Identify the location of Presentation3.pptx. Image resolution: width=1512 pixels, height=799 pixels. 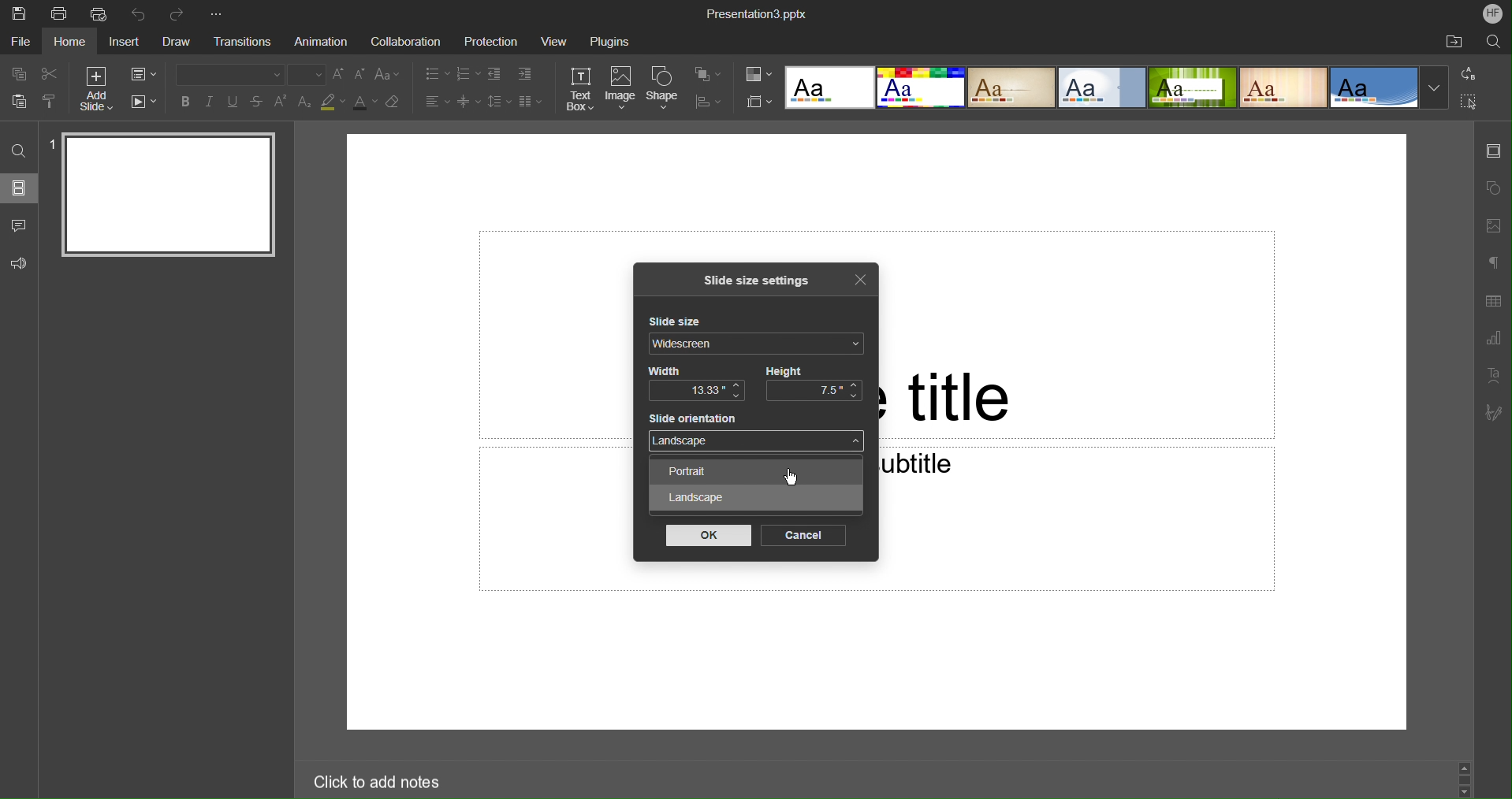
(758, 13).